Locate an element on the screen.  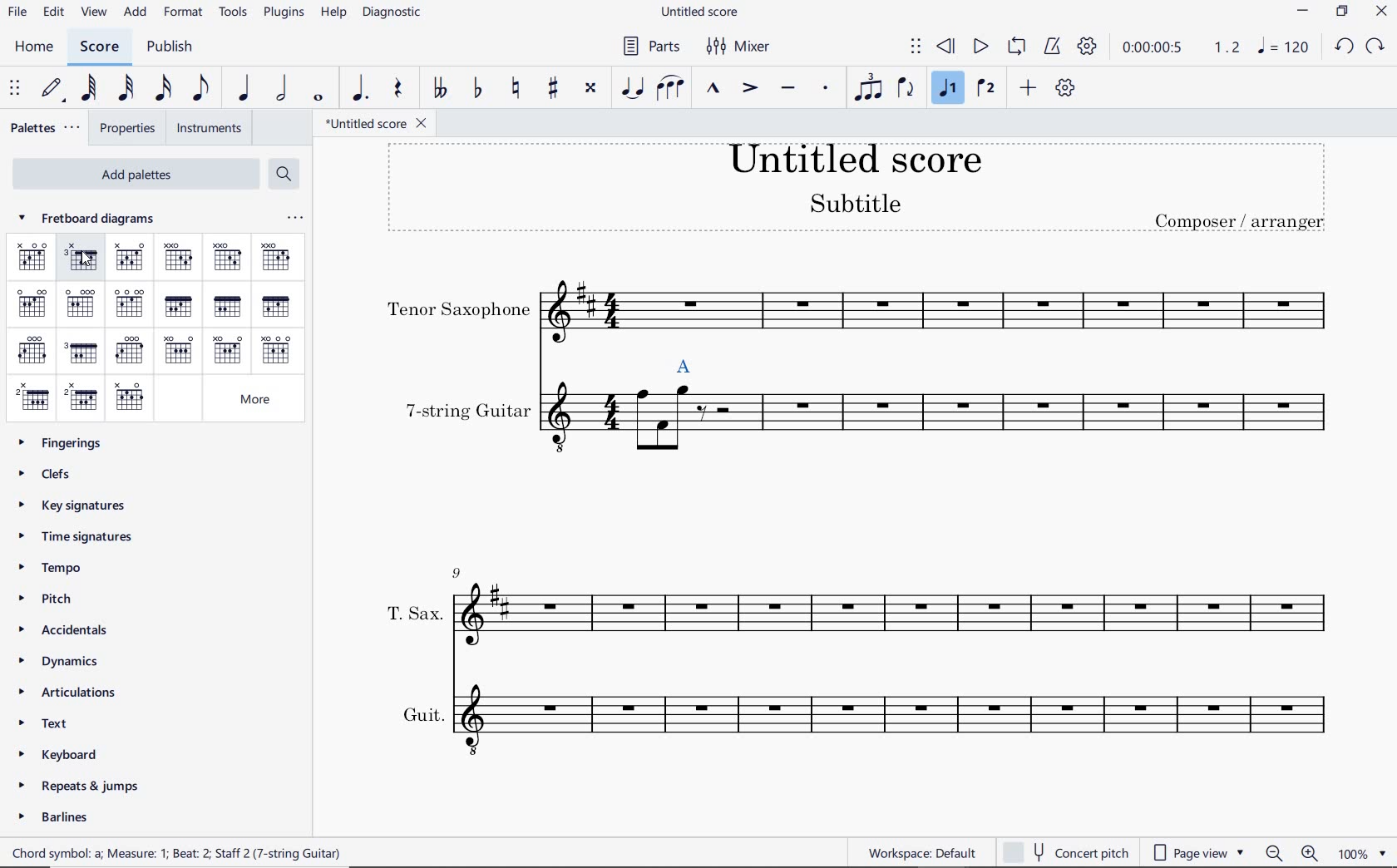
FILE is located at coordinates (17, 13).